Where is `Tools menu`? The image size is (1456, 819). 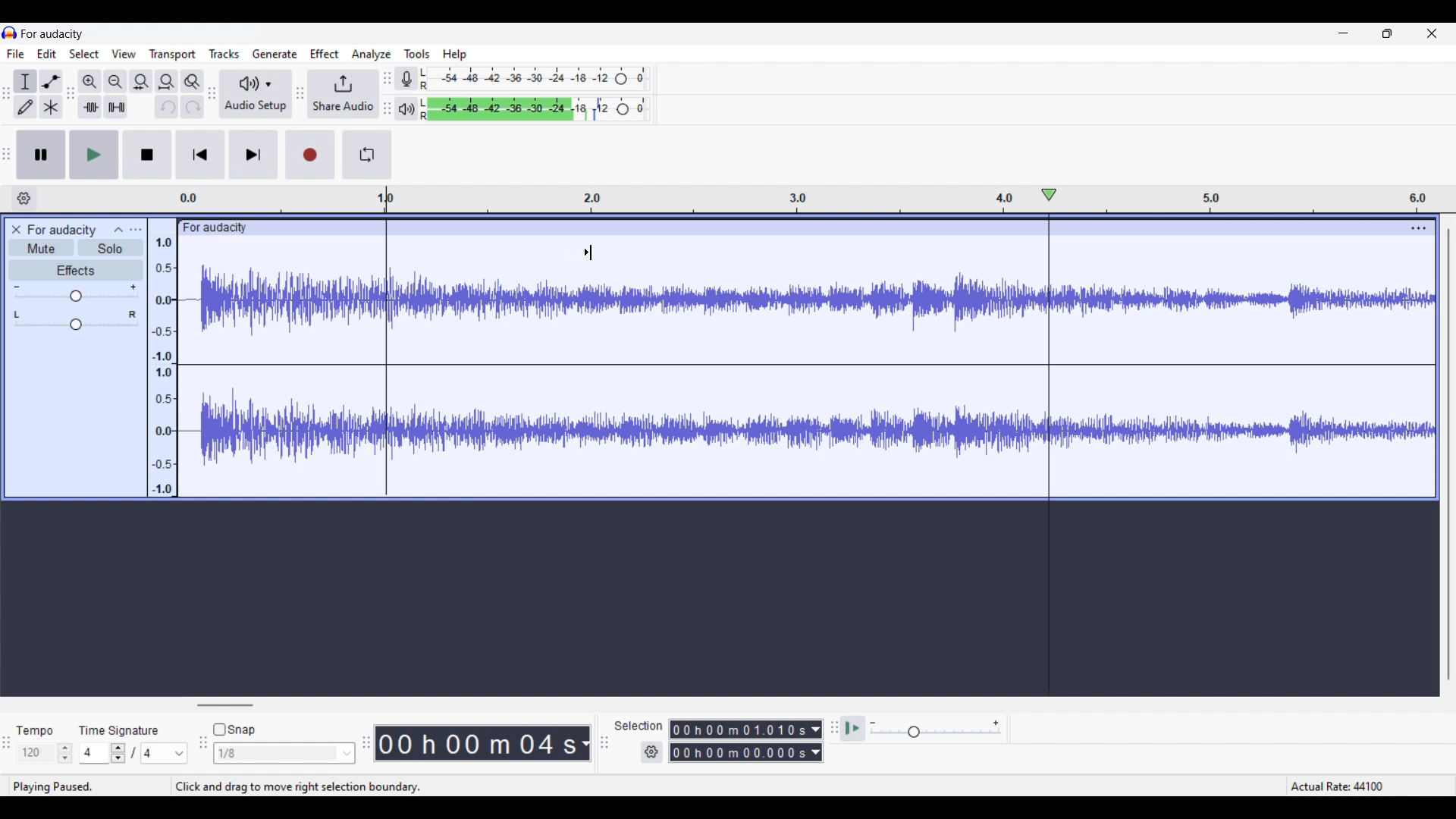 Tools menu is located at coordinates (417, 54).